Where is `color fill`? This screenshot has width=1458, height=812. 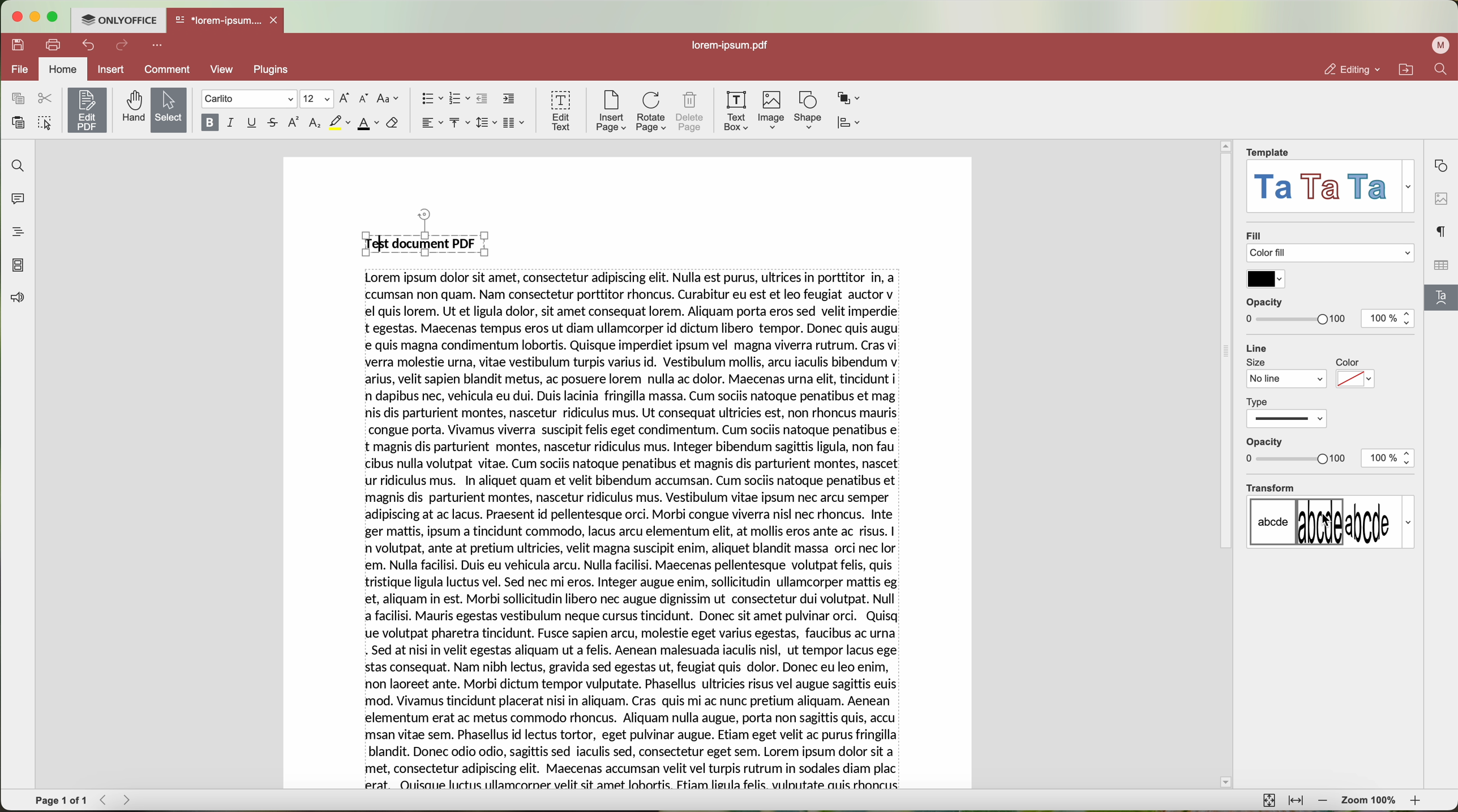
color fill is located at coordinates (1333, 254).